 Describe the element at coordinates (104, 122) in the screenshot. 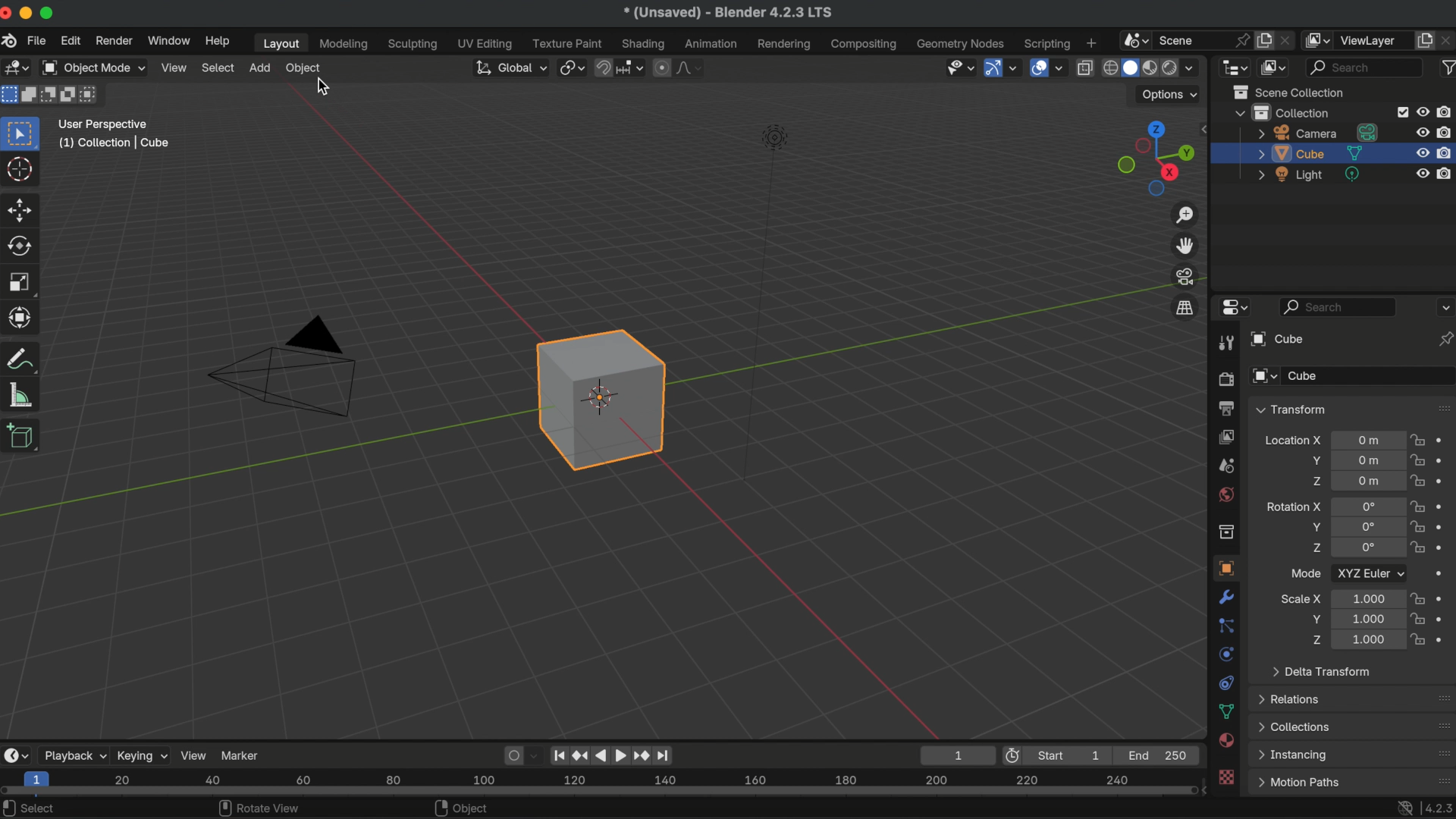

I see `user perspective` at that location.